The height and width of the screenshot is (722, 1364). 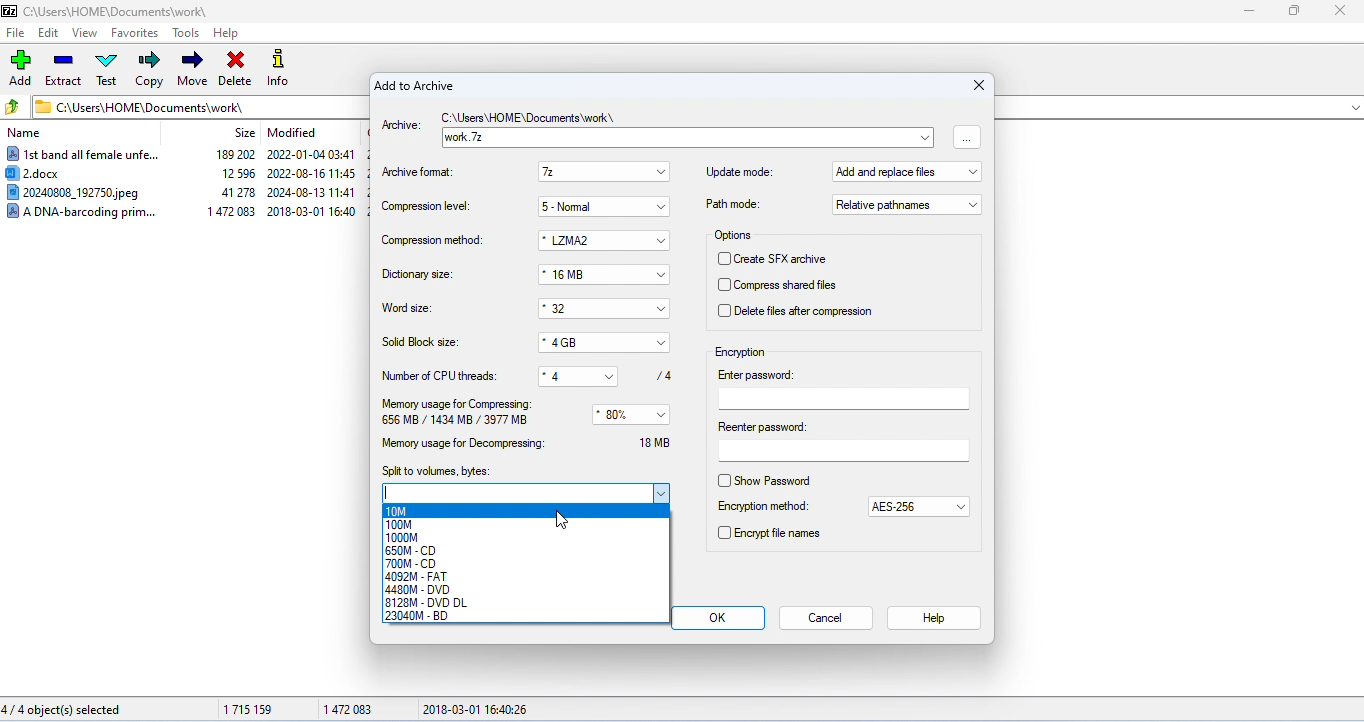 I want to click on 7z, so click(x=591, y=172).